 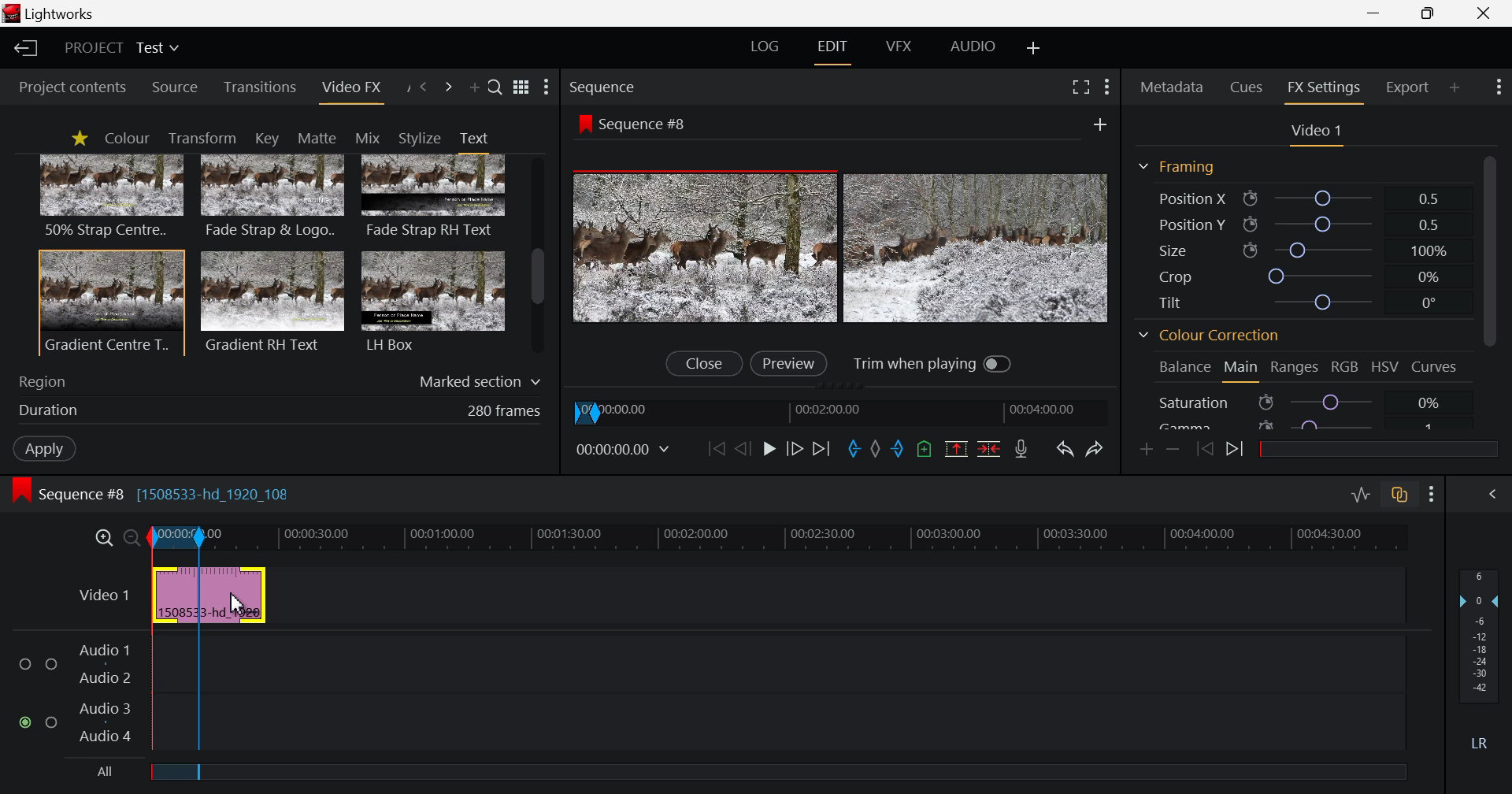 I want to click on Curves, so click(x=1437, y=365).